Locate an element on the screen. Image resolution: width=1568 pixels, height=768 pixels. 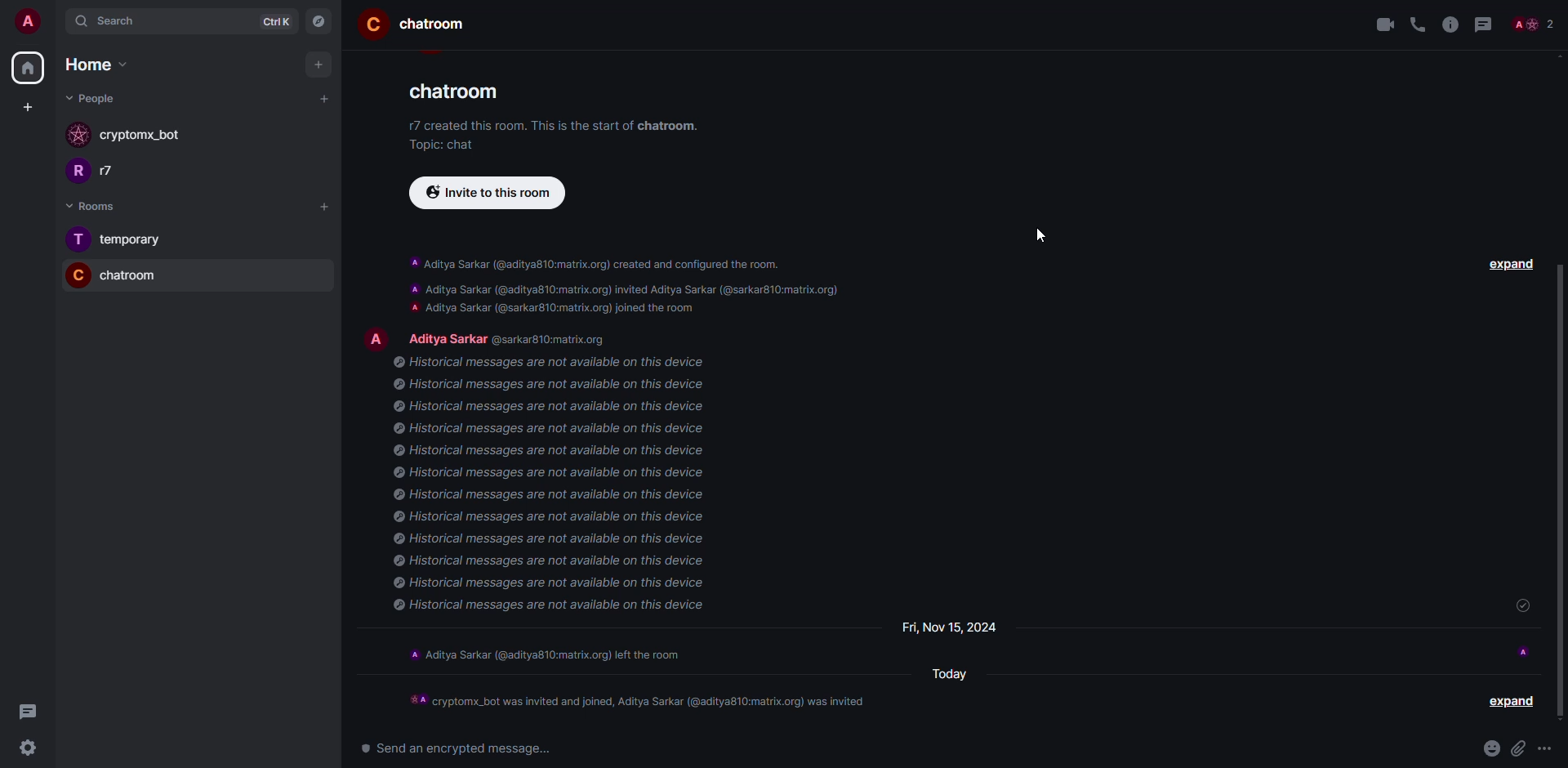
profile is located at coordinates (74, 173).